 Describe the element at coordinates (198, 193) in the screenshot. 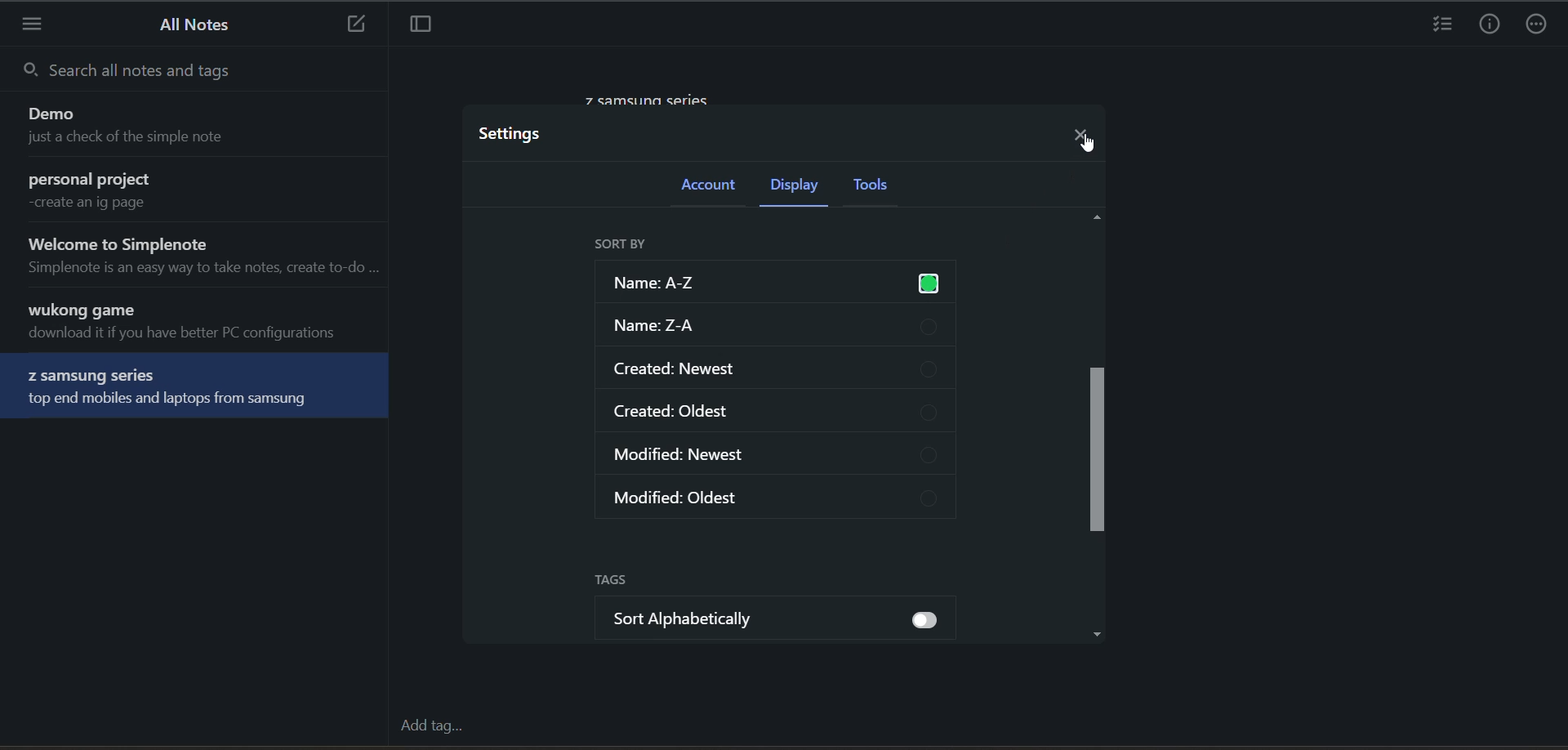

I see `personal project create an ig page` at that location.